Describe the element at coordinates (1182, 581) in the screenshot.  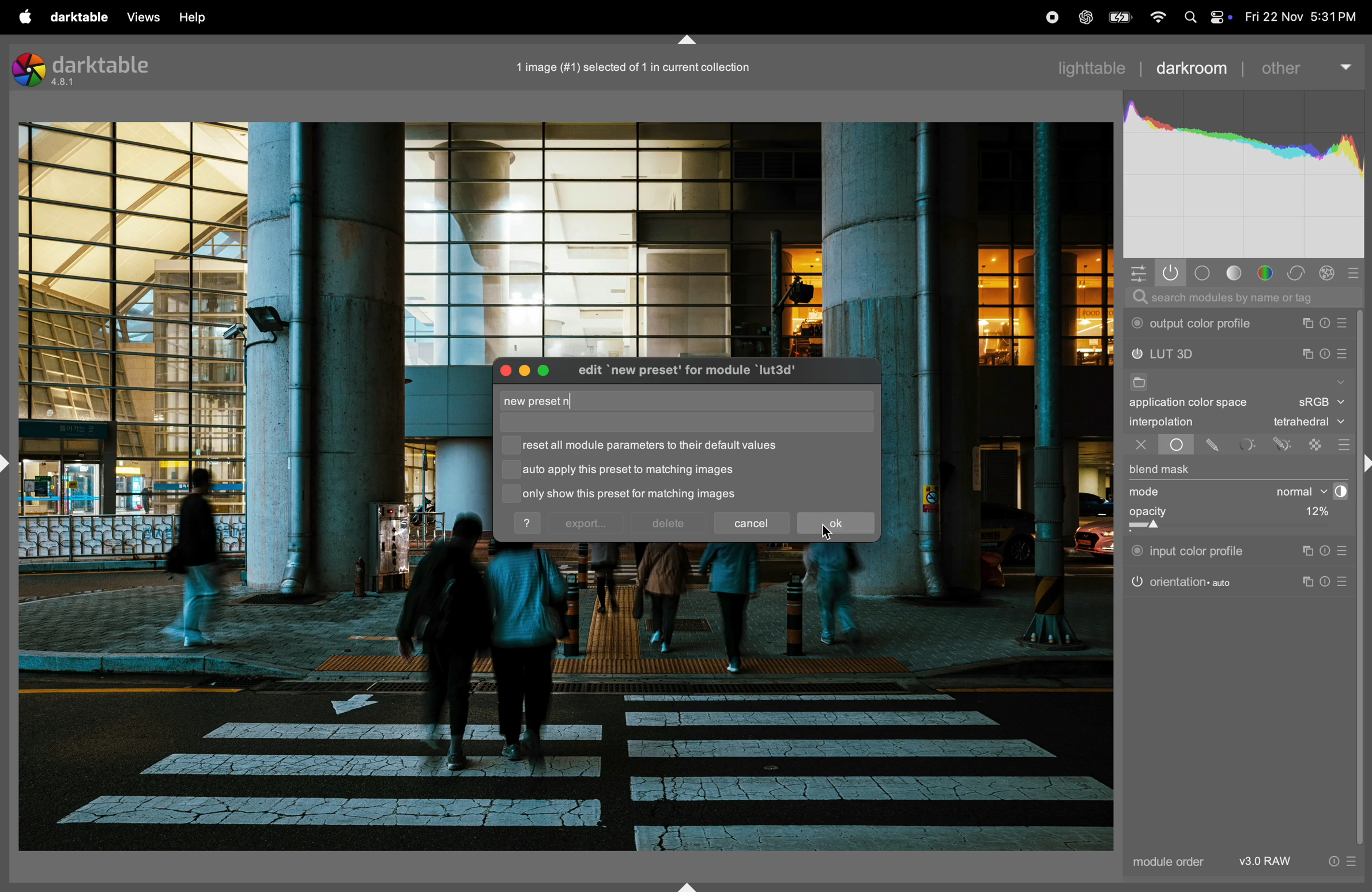
I see `orientation` at that location.